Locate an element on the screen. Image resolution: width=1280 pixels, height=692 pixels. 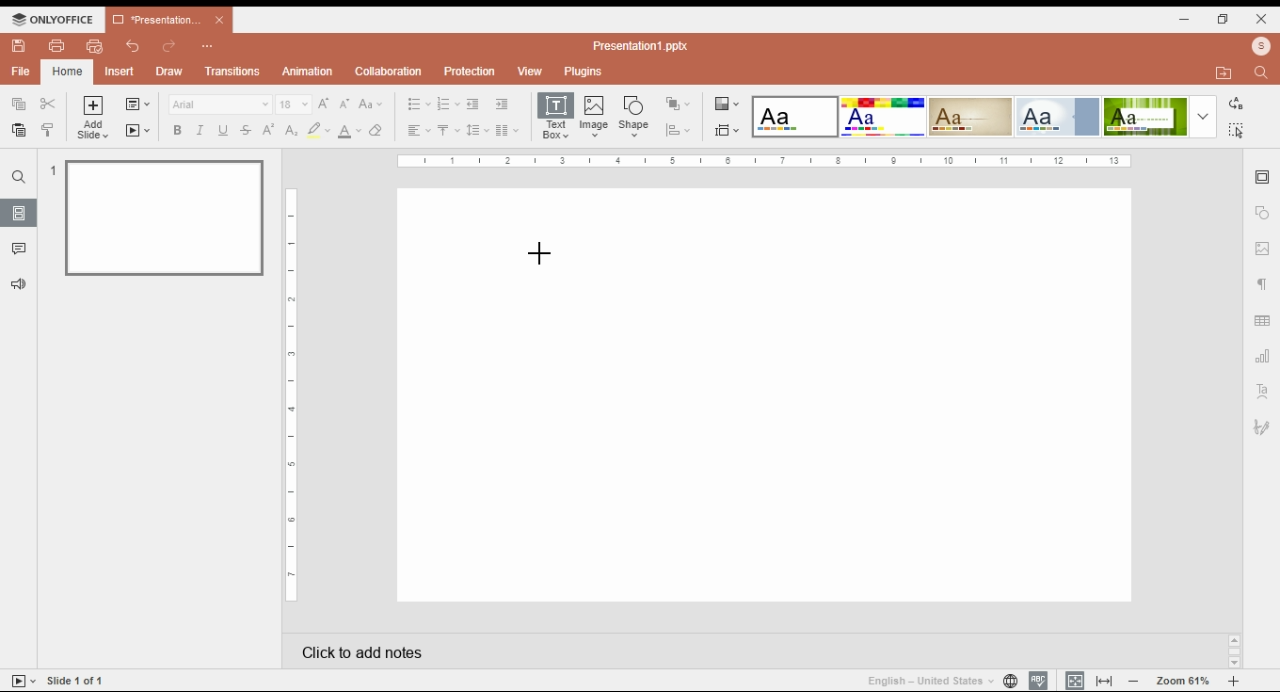
italics is located at coordinates (200, 130).